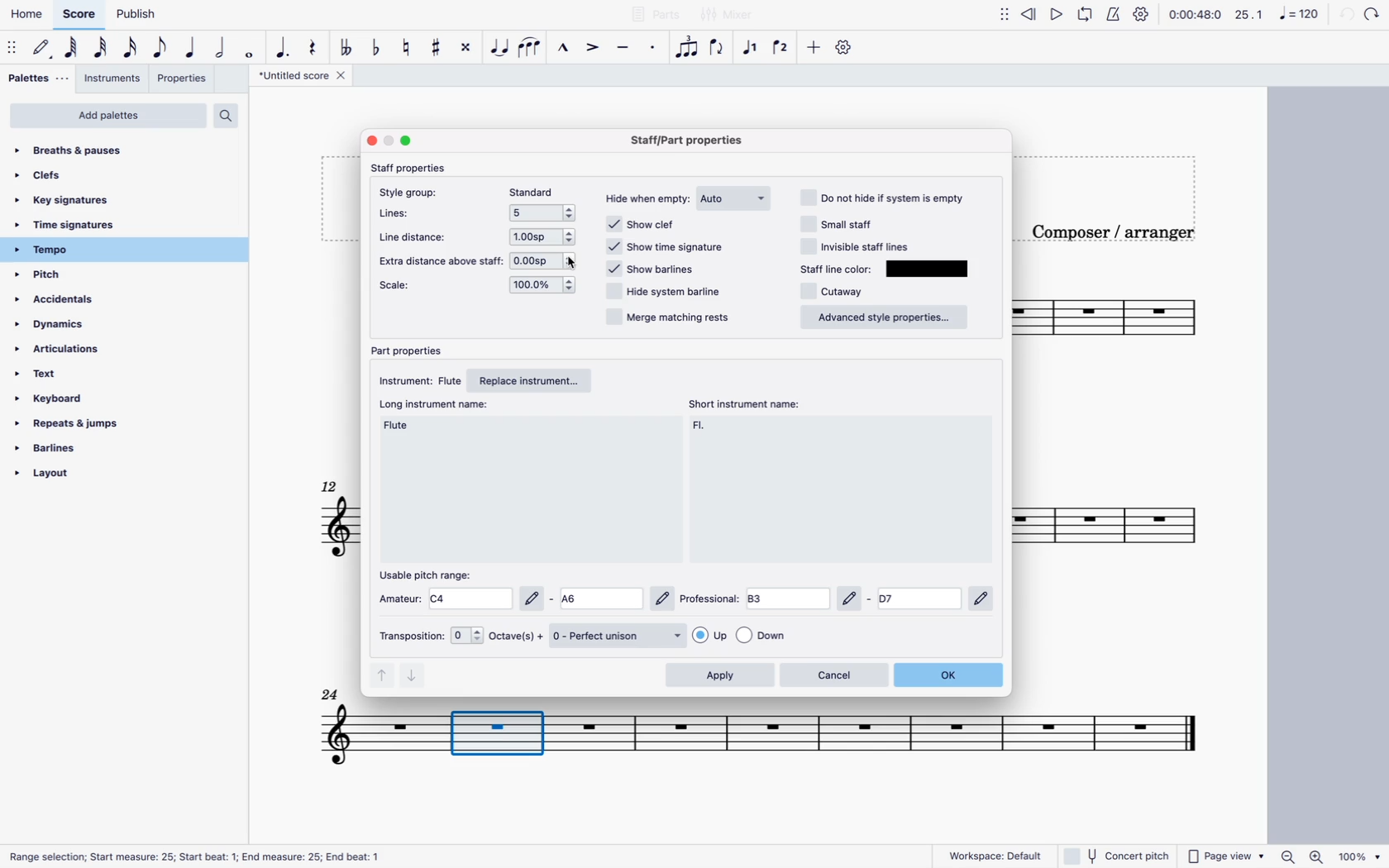  Describe the element at coordinates (408, 141) in the screenshot. I see `maximize` at that location.